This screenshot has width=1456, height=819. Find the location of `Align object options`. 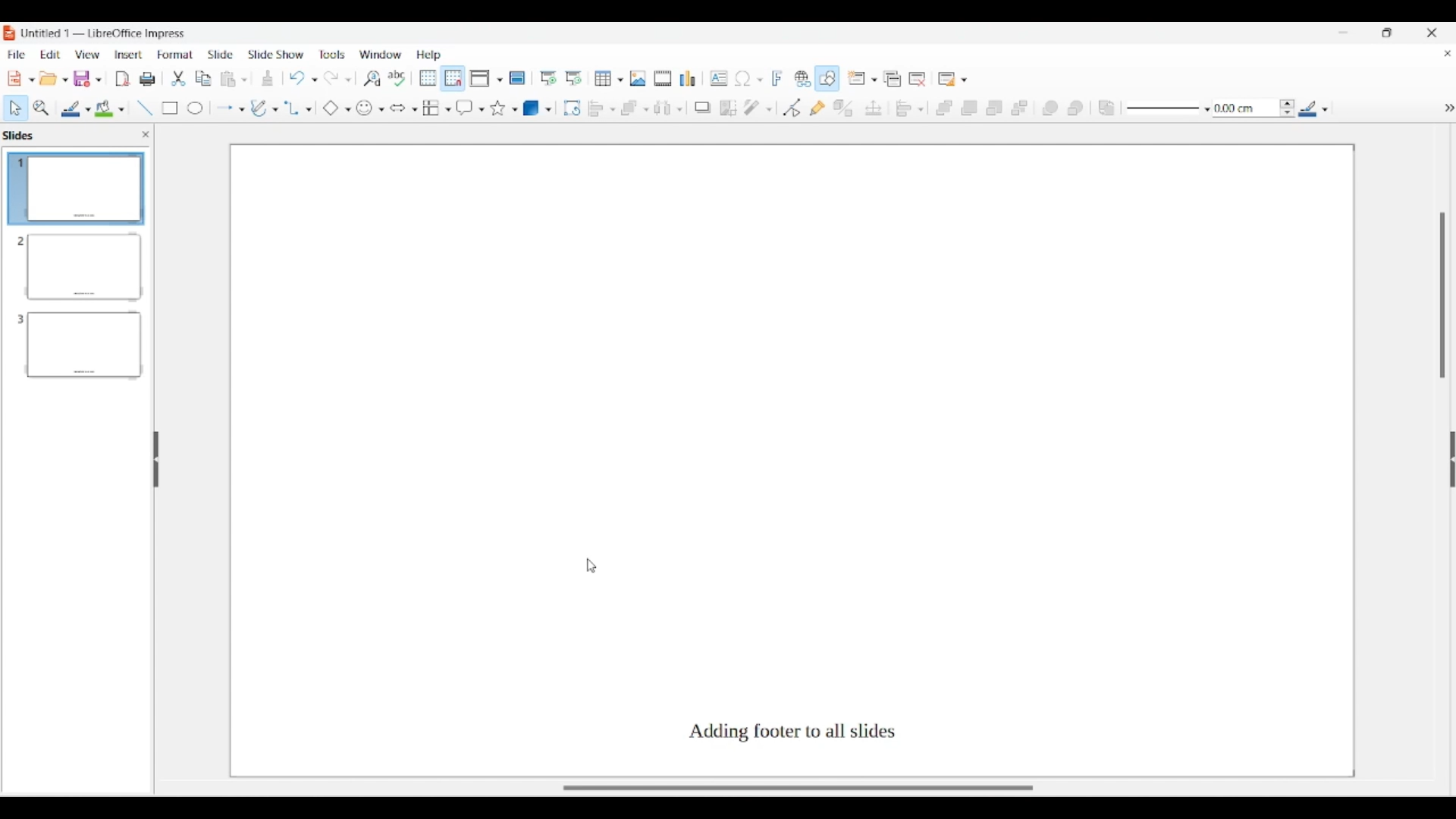

Align object options is located at coordinates (602, 109).